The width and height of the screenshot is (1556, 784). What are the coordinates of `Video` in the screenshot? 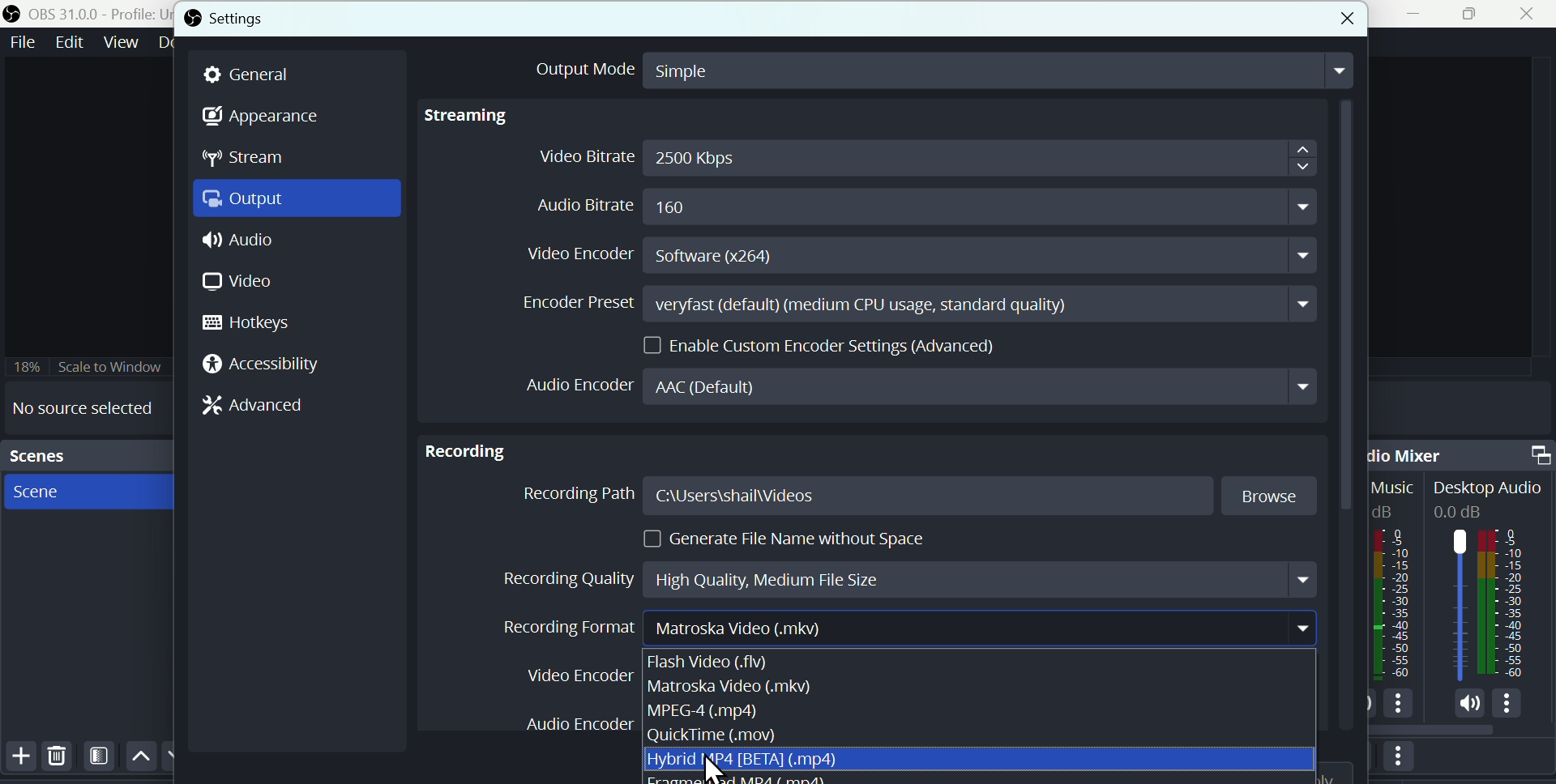 It's located at (242, 283).